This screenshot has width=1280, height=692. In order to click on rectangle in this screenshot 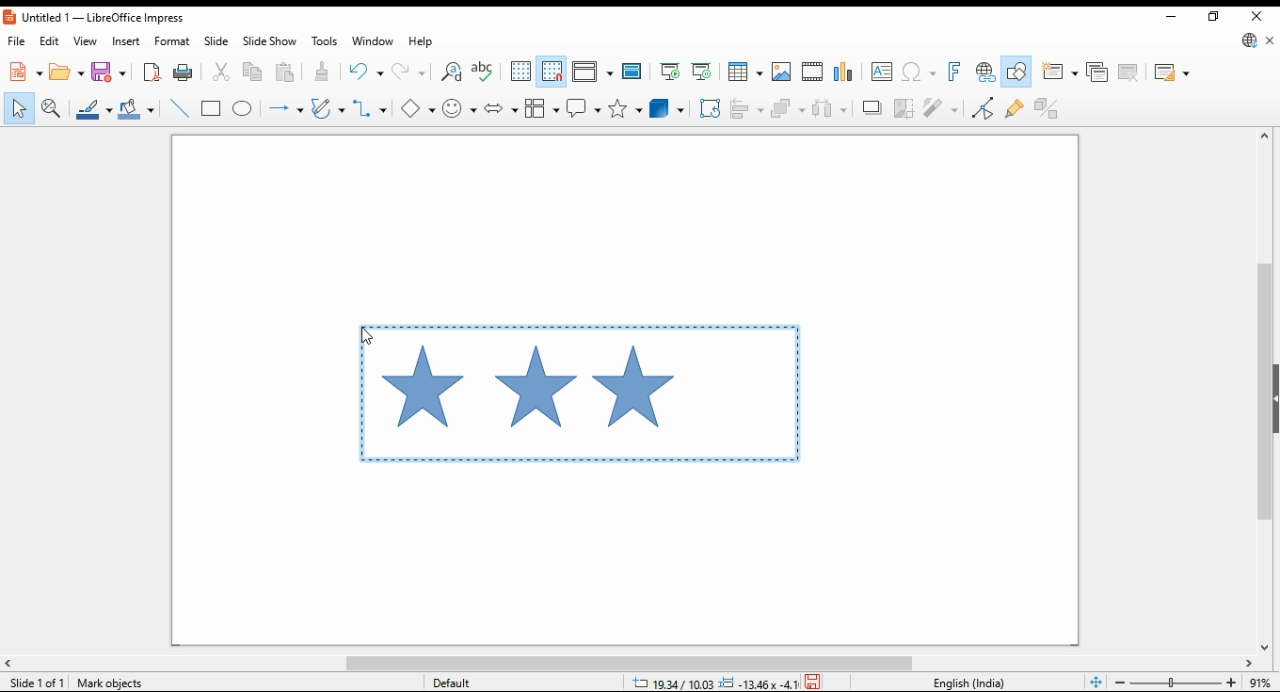, I will do `click(211, 108)`.